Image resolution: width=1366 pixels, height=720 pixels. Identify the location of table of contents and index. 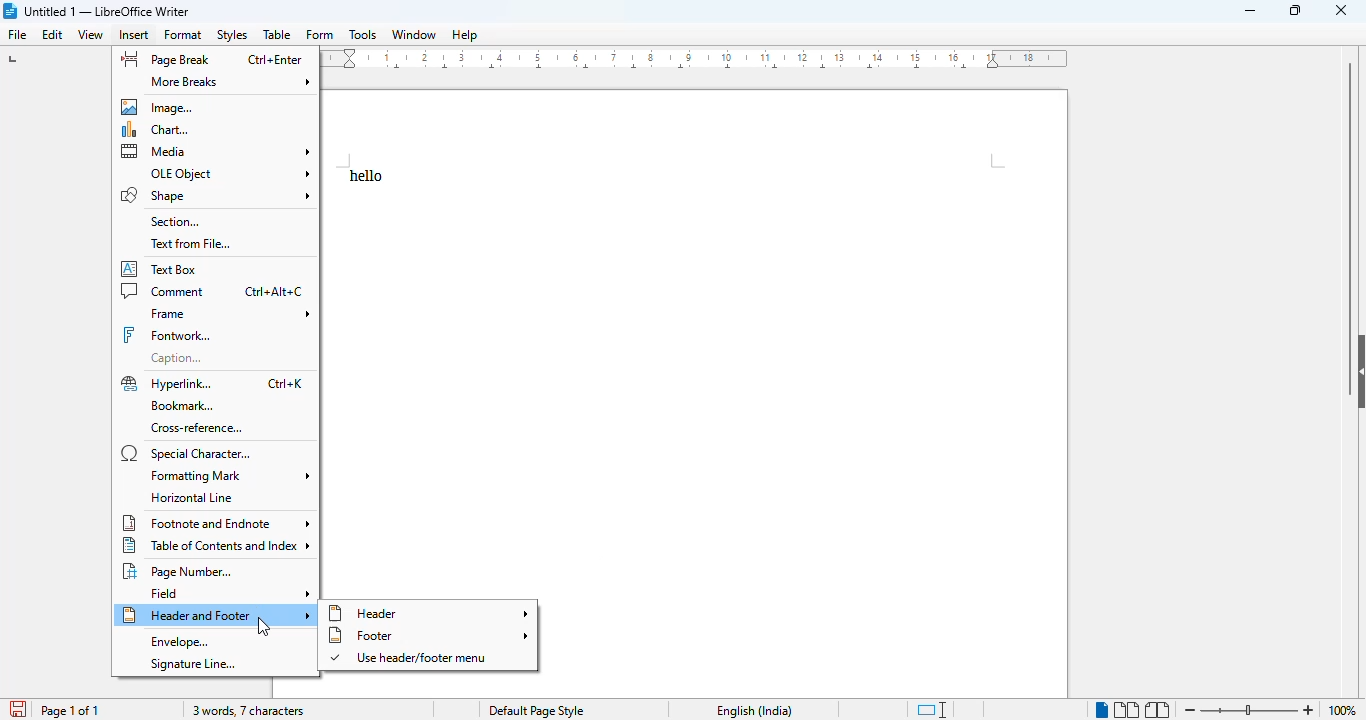
(215, 546).